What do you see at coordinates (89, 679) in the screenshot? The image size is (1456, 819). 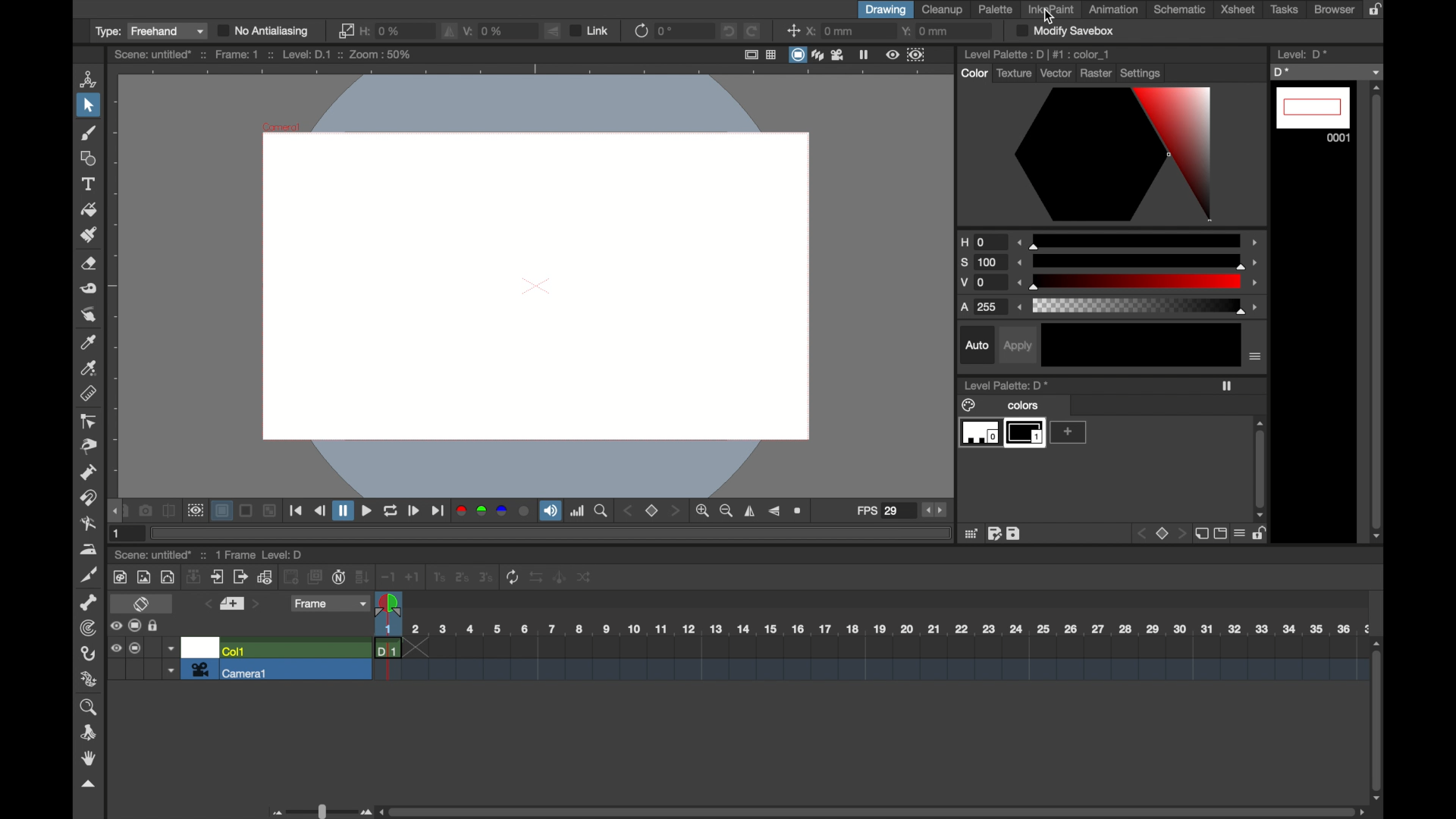 I see `plastic tool` at bounding box center [89, 679].